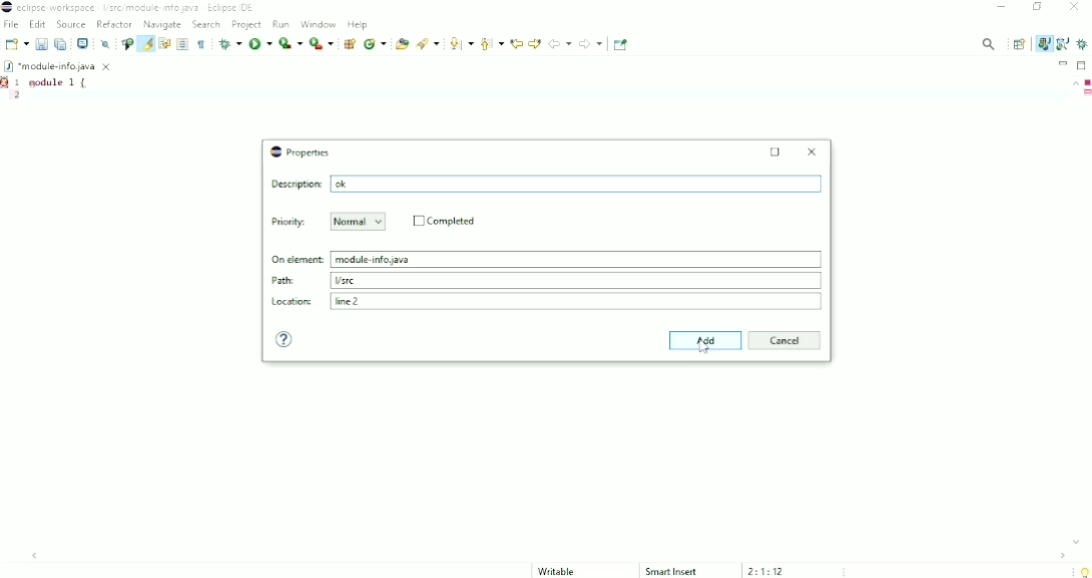 This screenshot has height=578, width=1092. I want to click on Previous annotation, so click(491, 44).